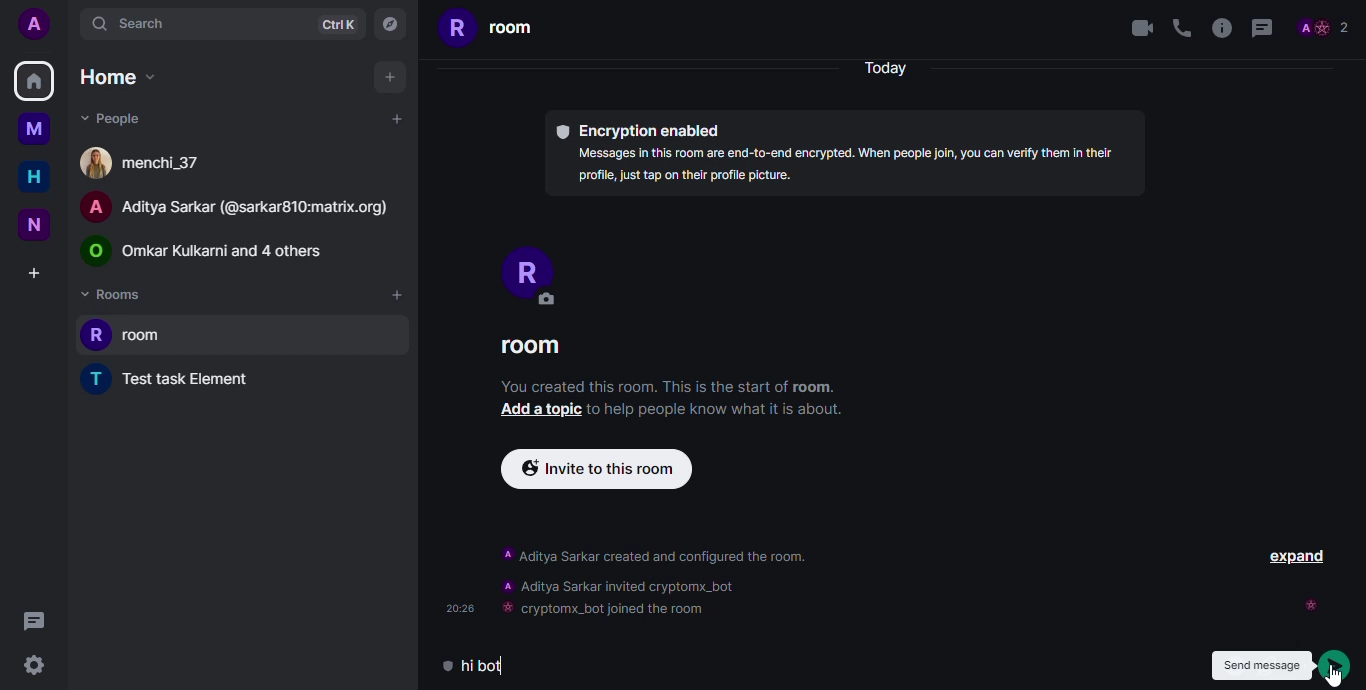 The height and width of the screenshot is (690, 1366). I want to click on # cryptomx_bot joined the room, so click(611, 608).